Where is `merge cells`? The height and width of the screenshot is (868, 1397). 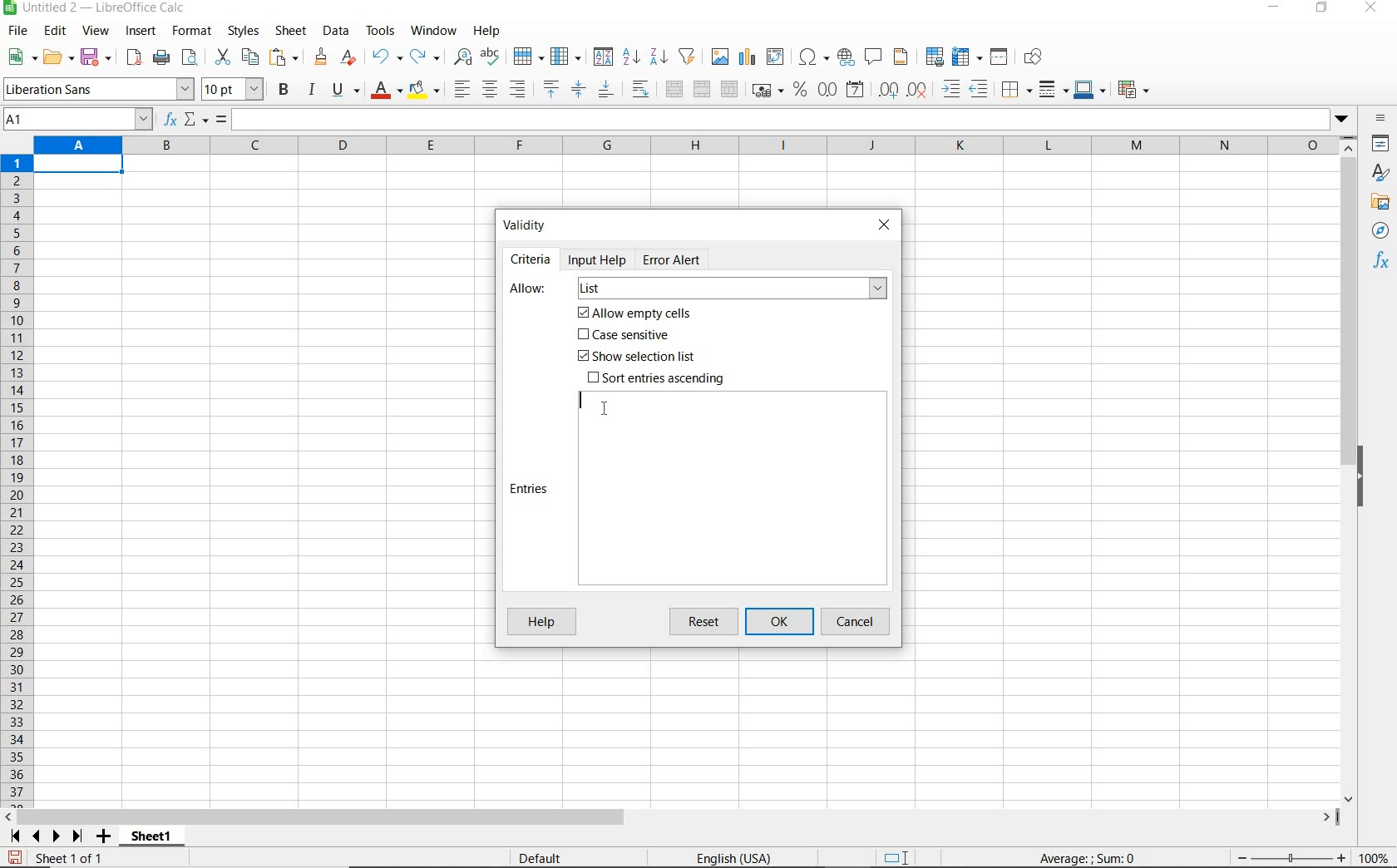 merge cells is located at coordinates (703, 87).